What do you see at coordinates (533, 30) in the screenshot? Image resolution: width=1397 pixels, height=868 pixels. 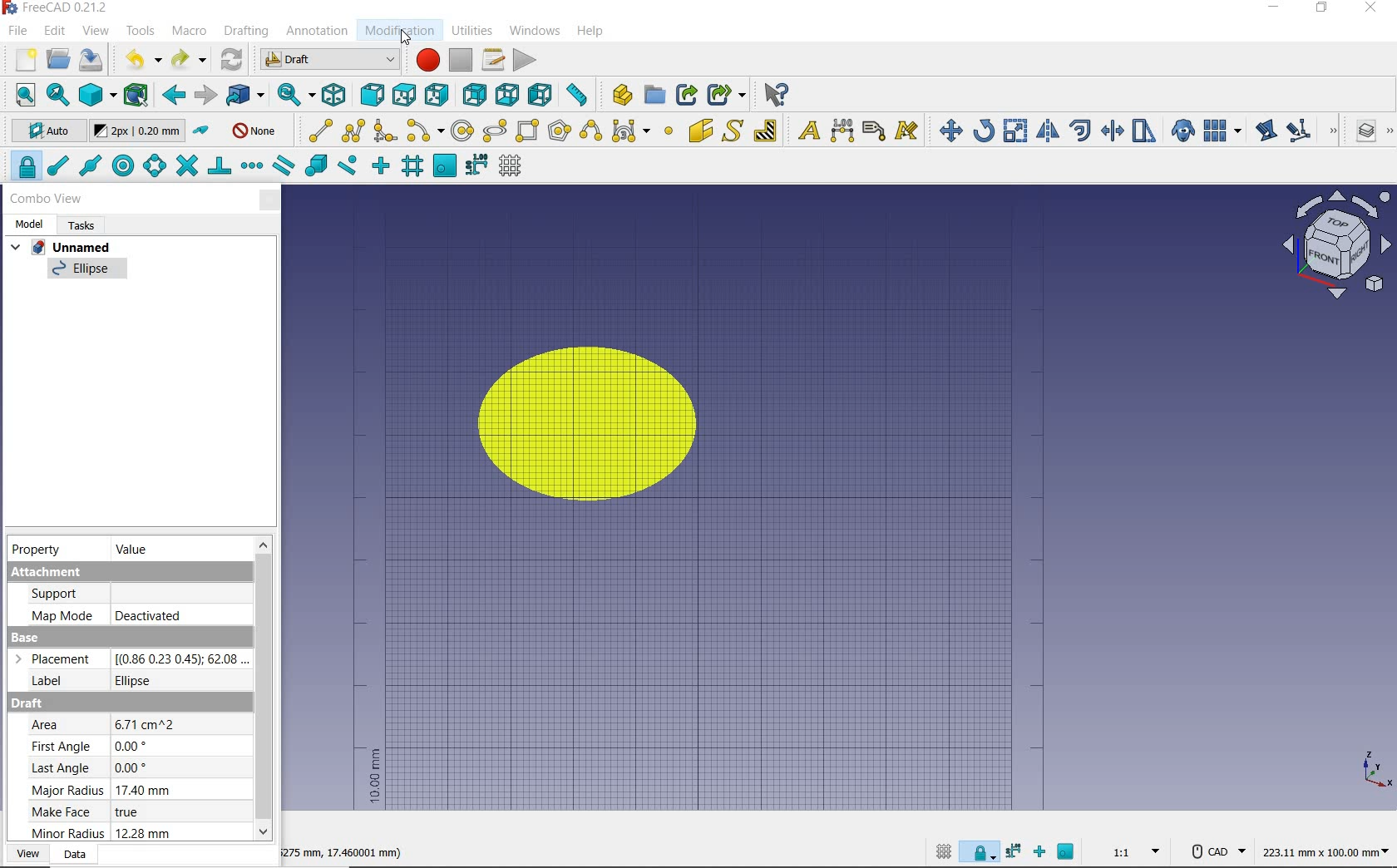 I see `windows` at bounding box center [533, 30].